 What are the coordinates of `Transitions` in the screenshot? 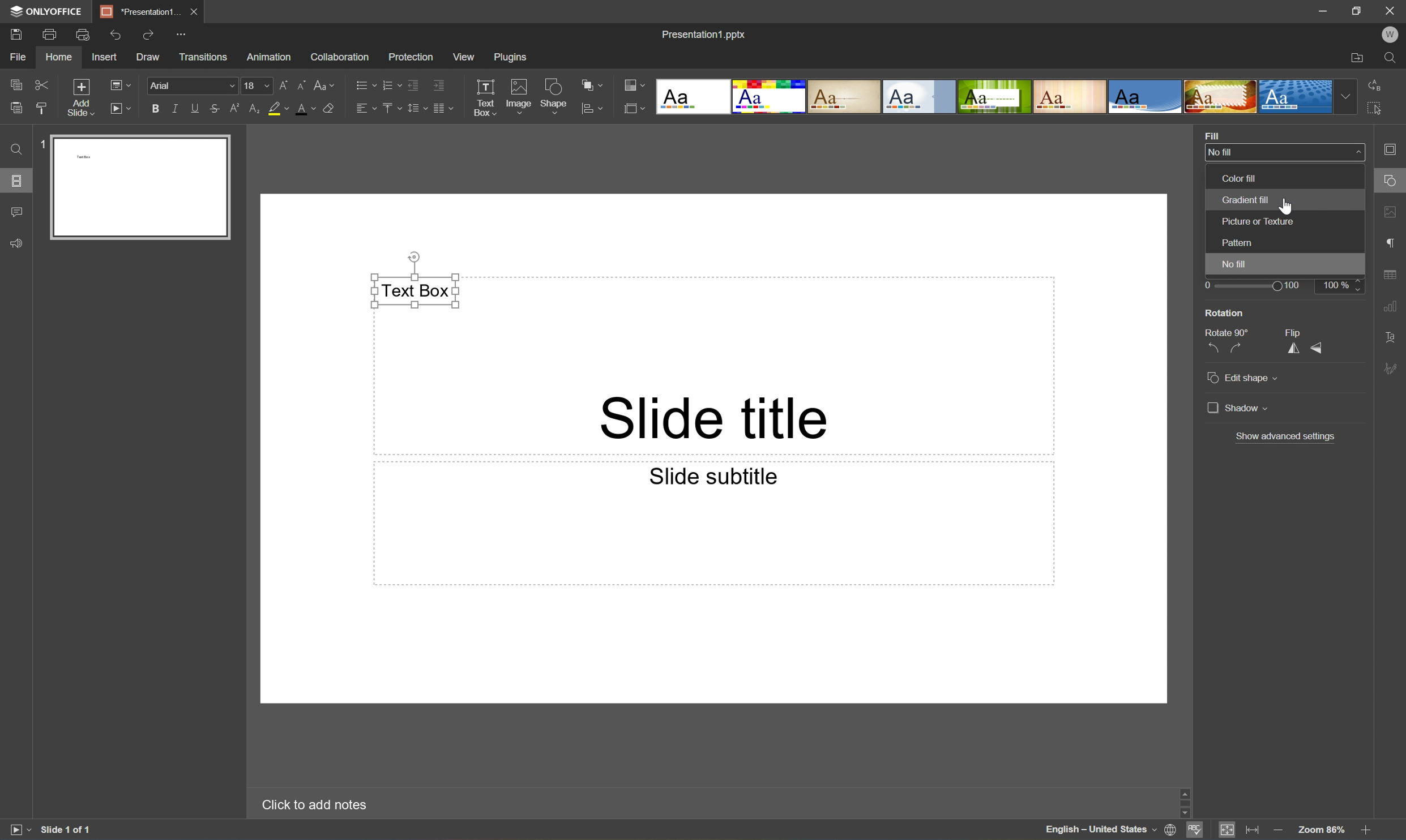 It's located at (205, 57).